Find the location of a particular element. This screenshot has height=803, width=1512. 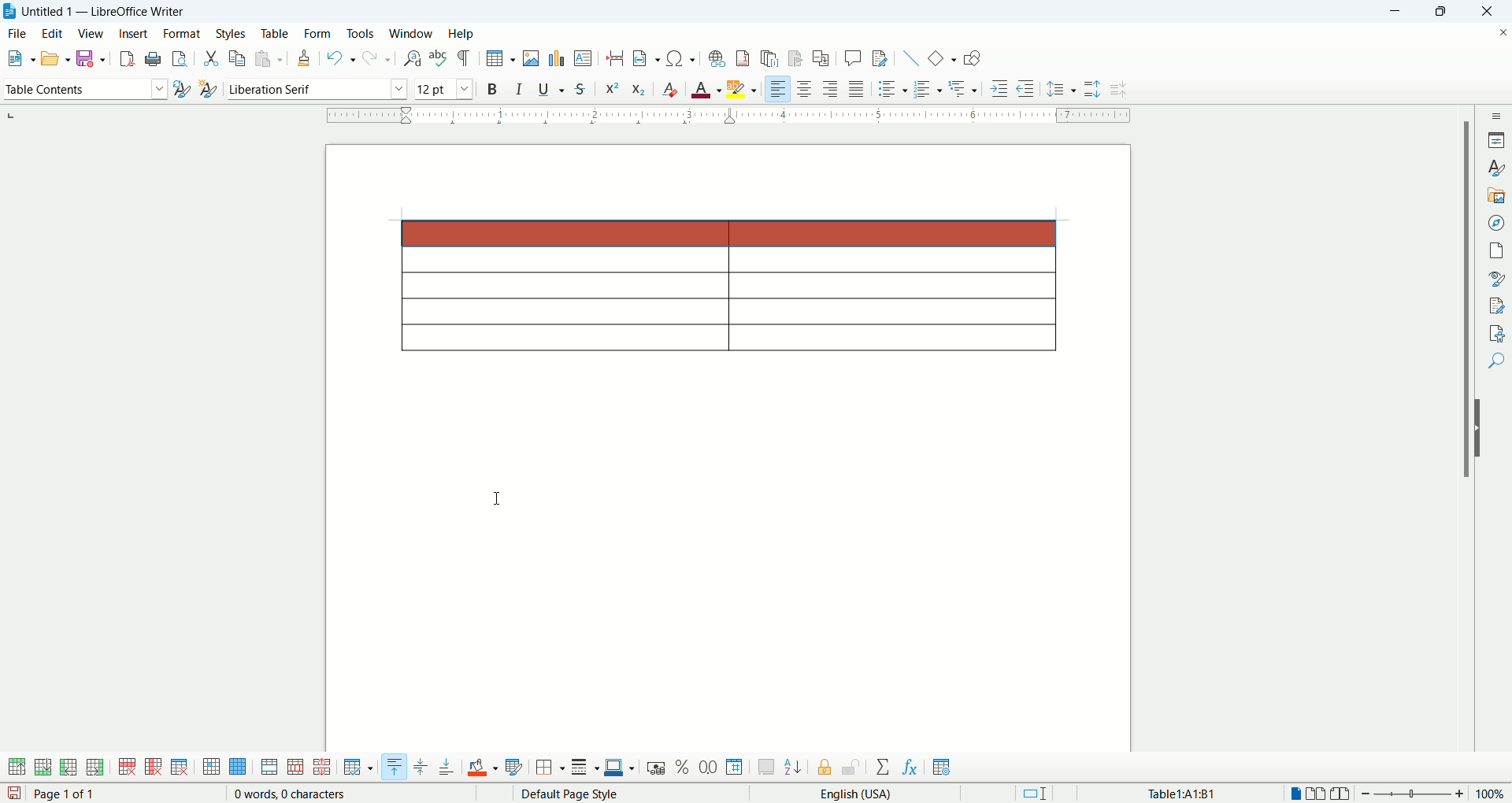

standar selection is located at coordinates (1045, 793).